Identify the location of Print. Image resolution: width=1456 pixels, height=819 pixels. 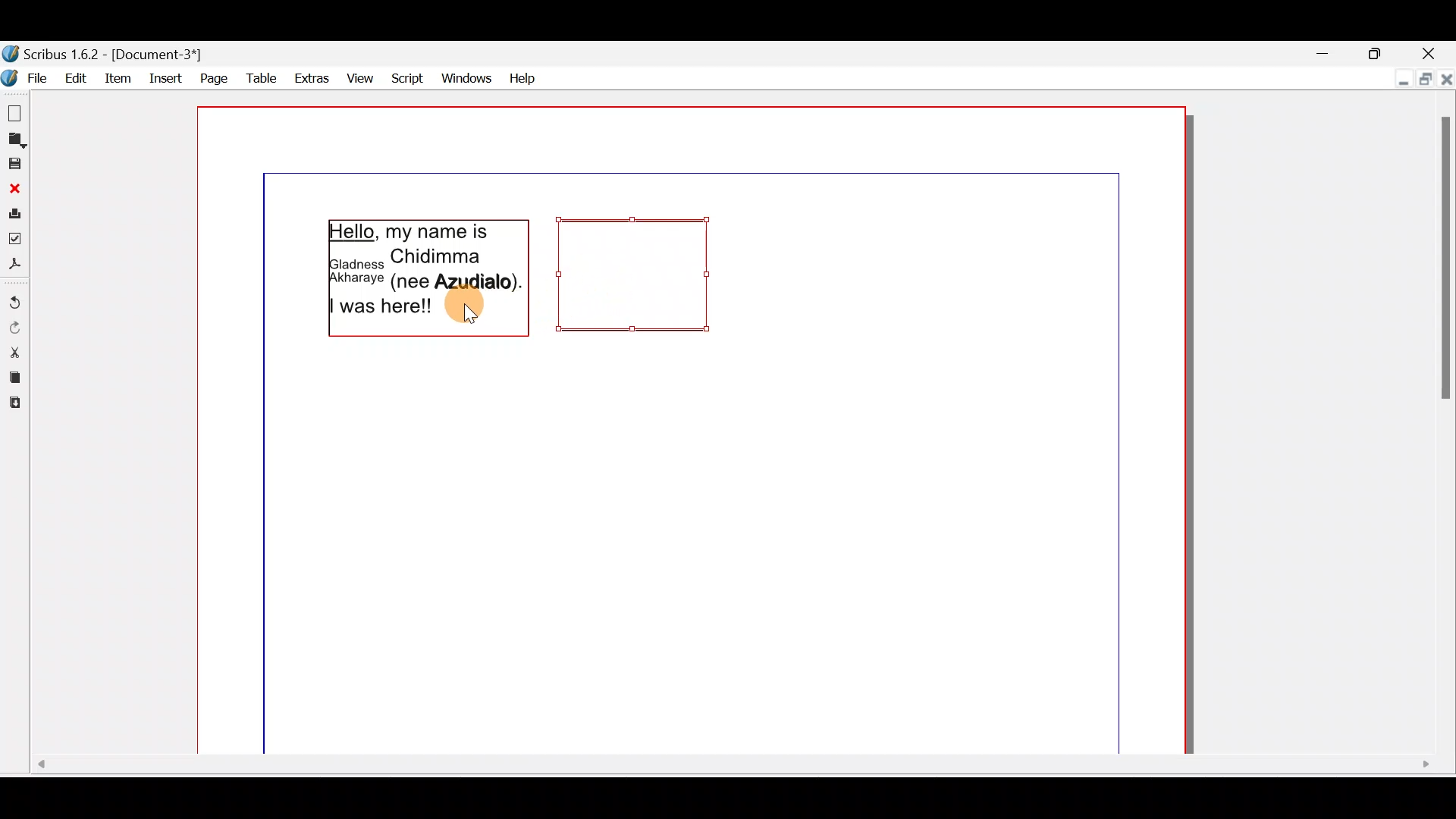
(14, 212).